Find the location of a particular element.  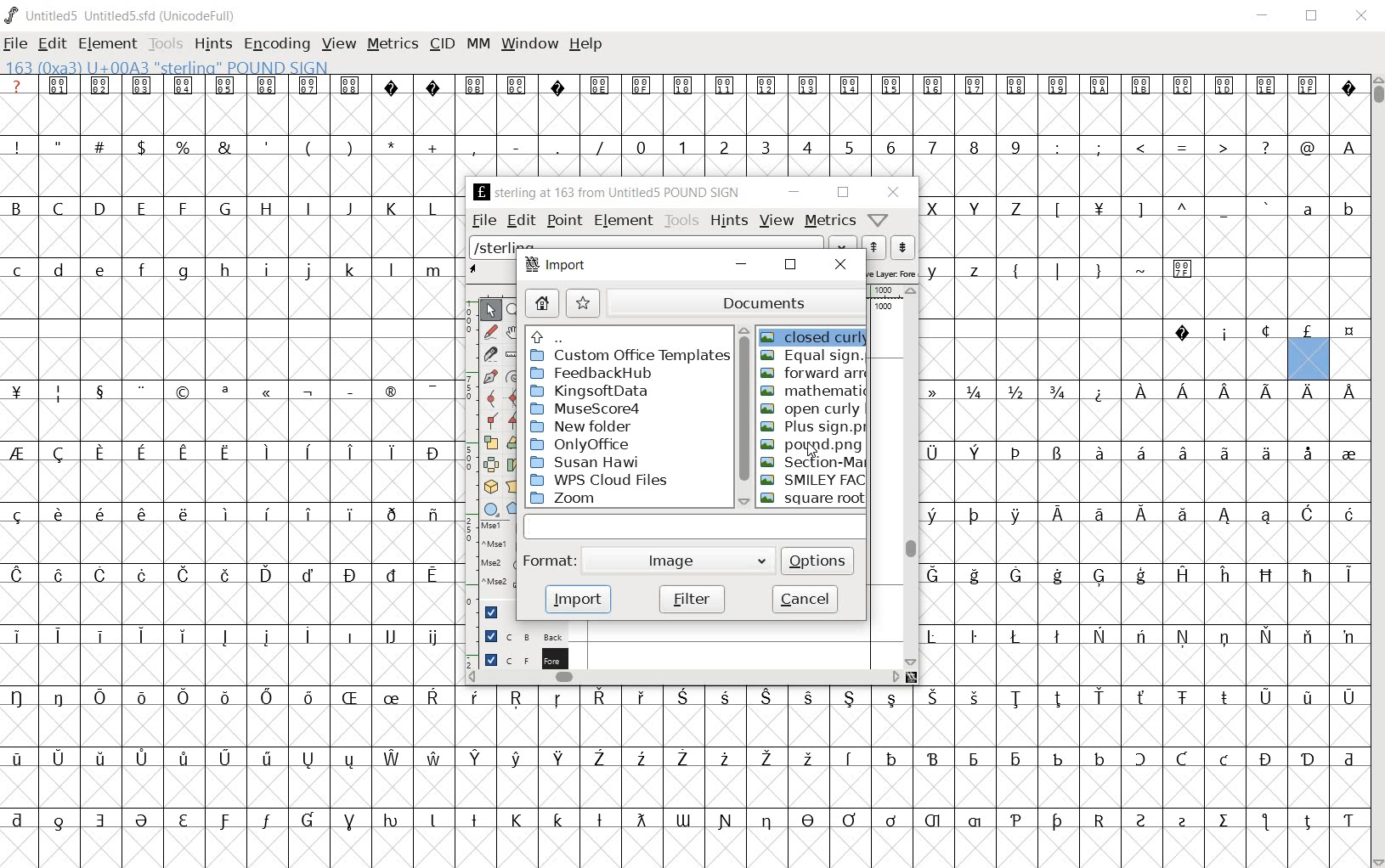

I is located at coordinates (308, 209).